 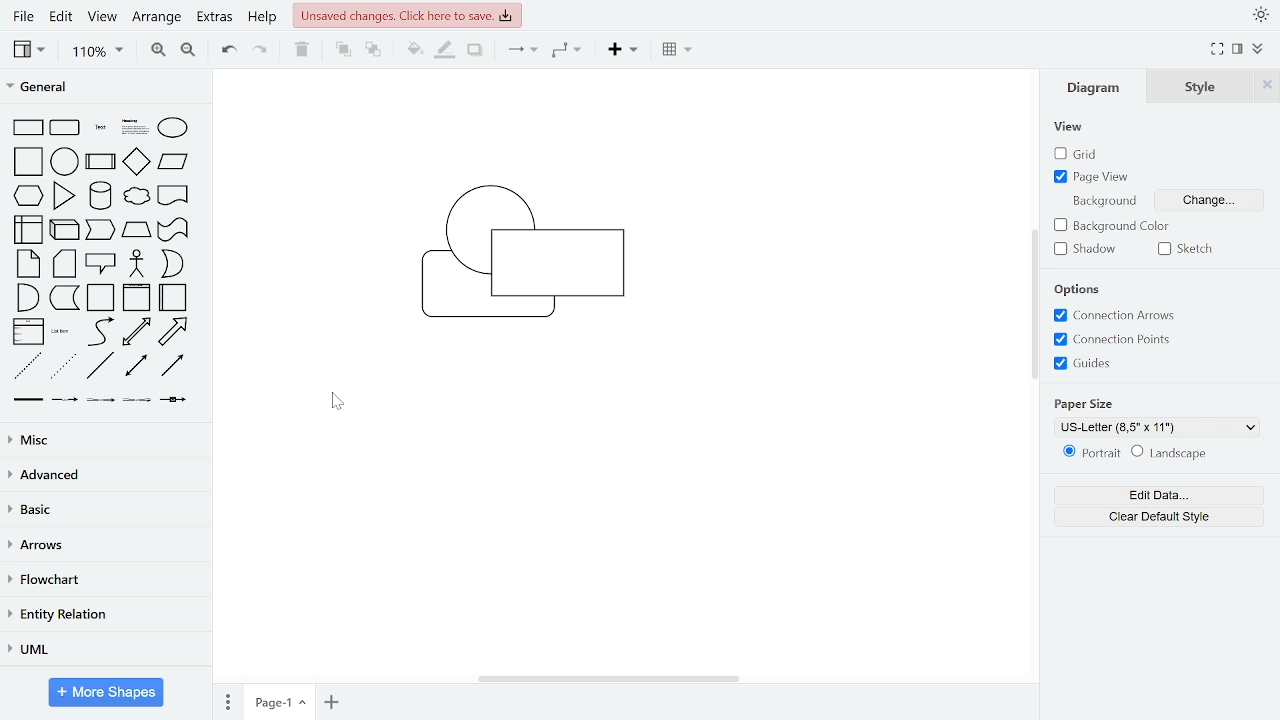 I want to click on options, so click(x=1077, y=290).